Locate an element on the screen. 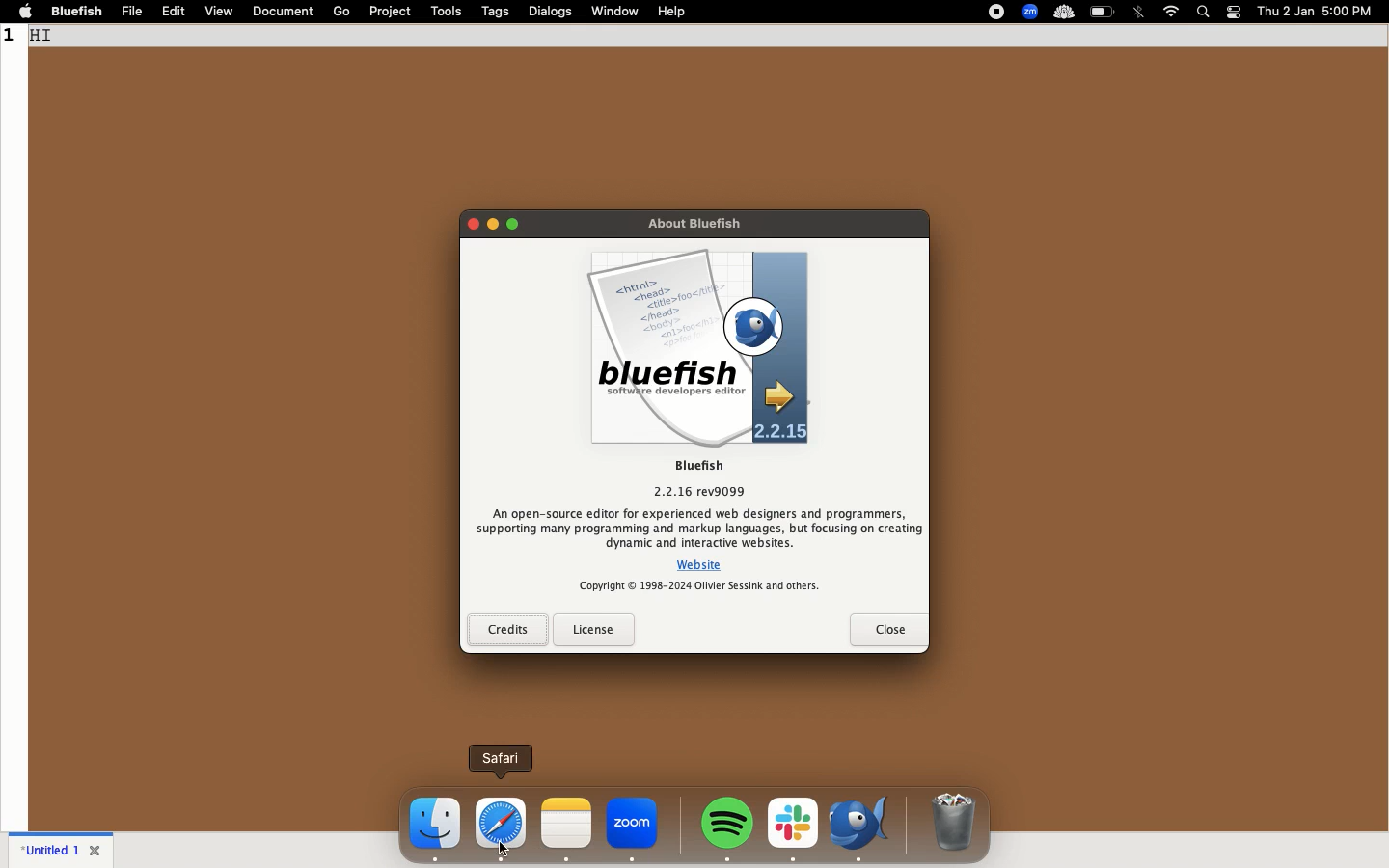 The height and width of the screenshot is (868, 1389). project is located at coordinates (390, 12).